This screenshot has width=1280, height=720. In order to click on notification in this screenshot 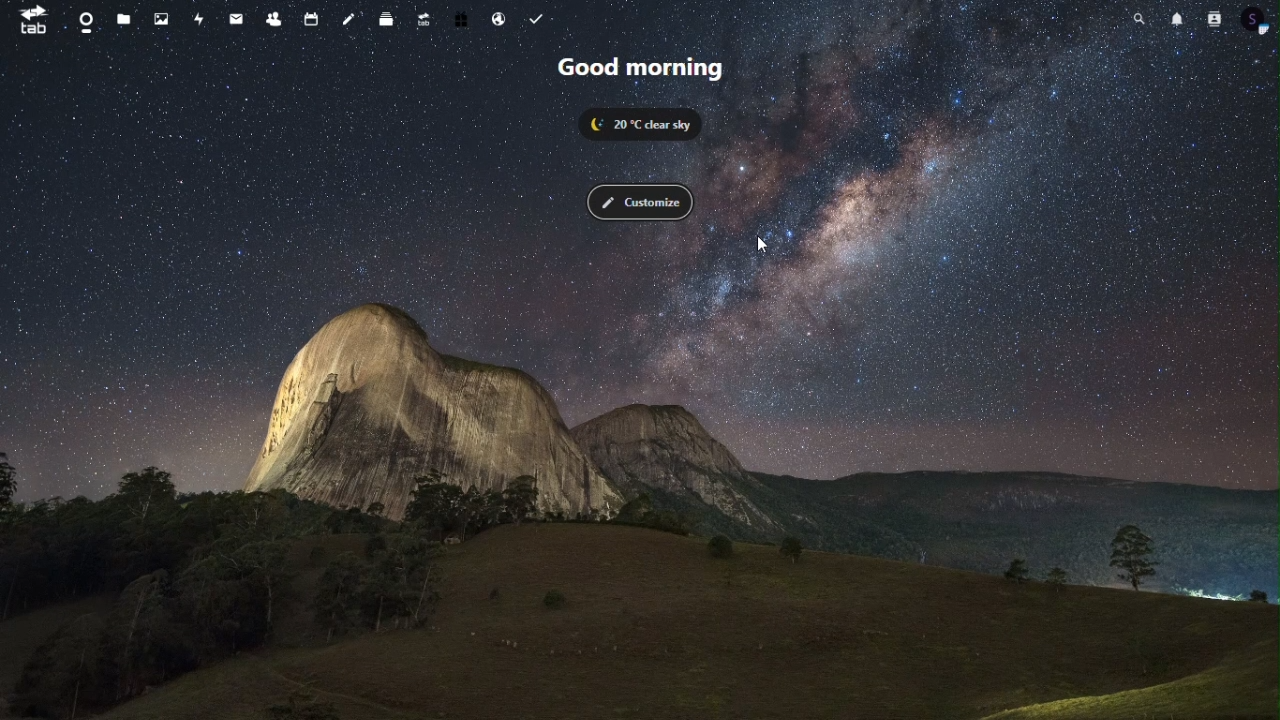, I will do `click(1175, 19)`.